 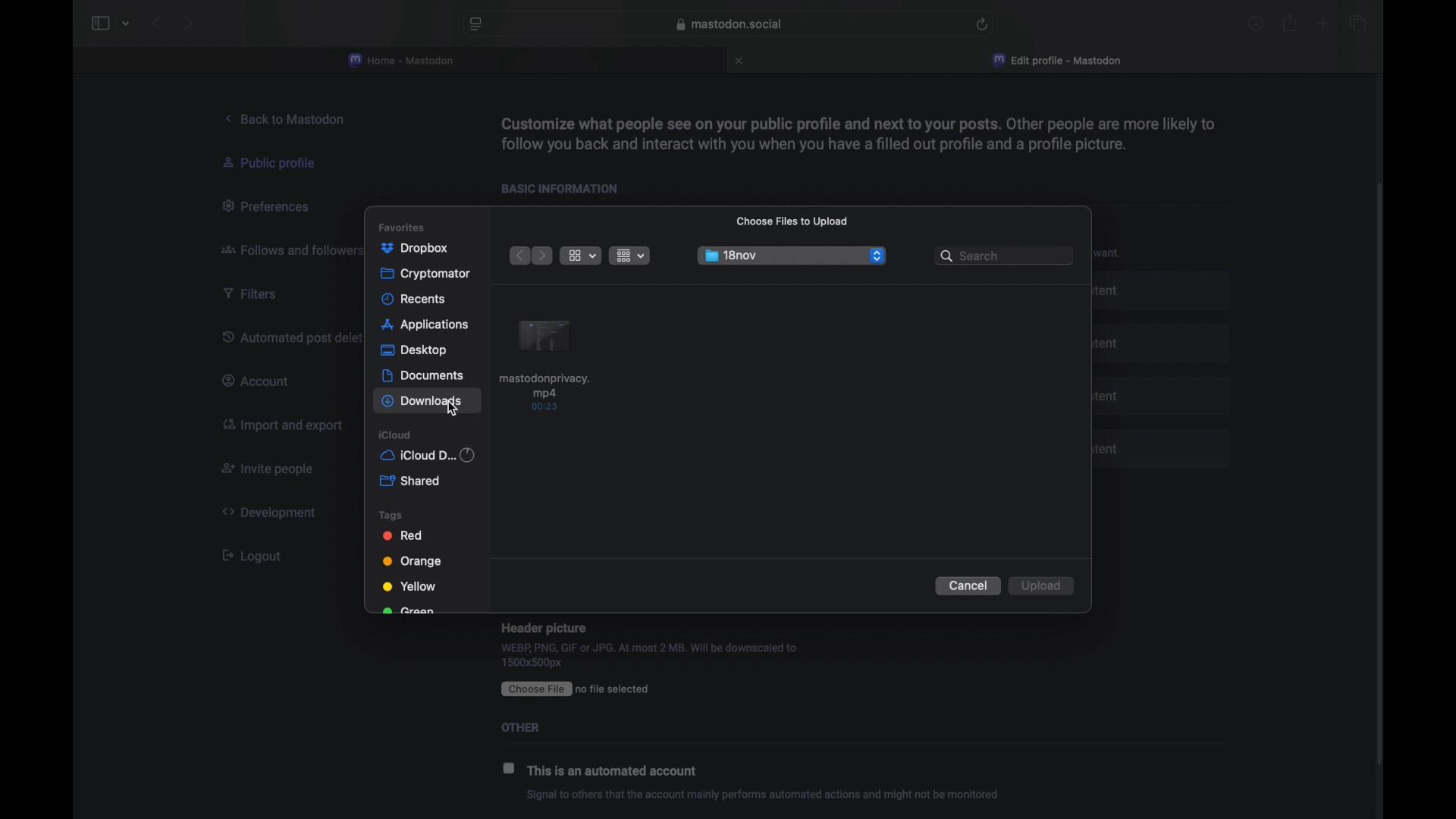 What do you see at coordinates (650, 656) in the screenshot?
I see `WEBP, PNG, GIF or JPG. At most 2 MB. Will be downscaled to
1500x500px` at bounding box center [650, 656].